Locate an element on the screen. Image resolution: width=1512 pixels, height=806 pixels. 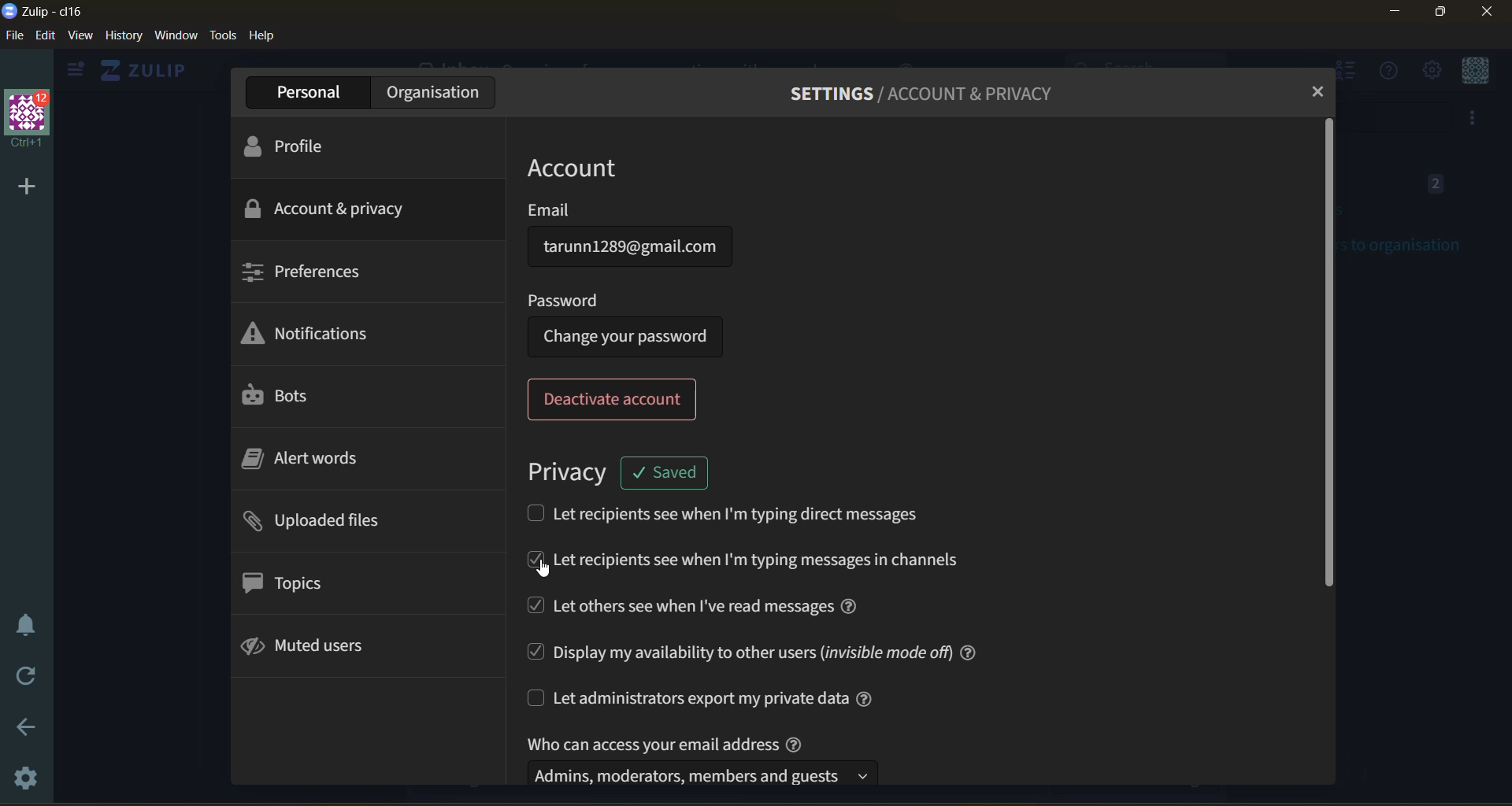
password: (change your password) is located at coordinates (632, 323).